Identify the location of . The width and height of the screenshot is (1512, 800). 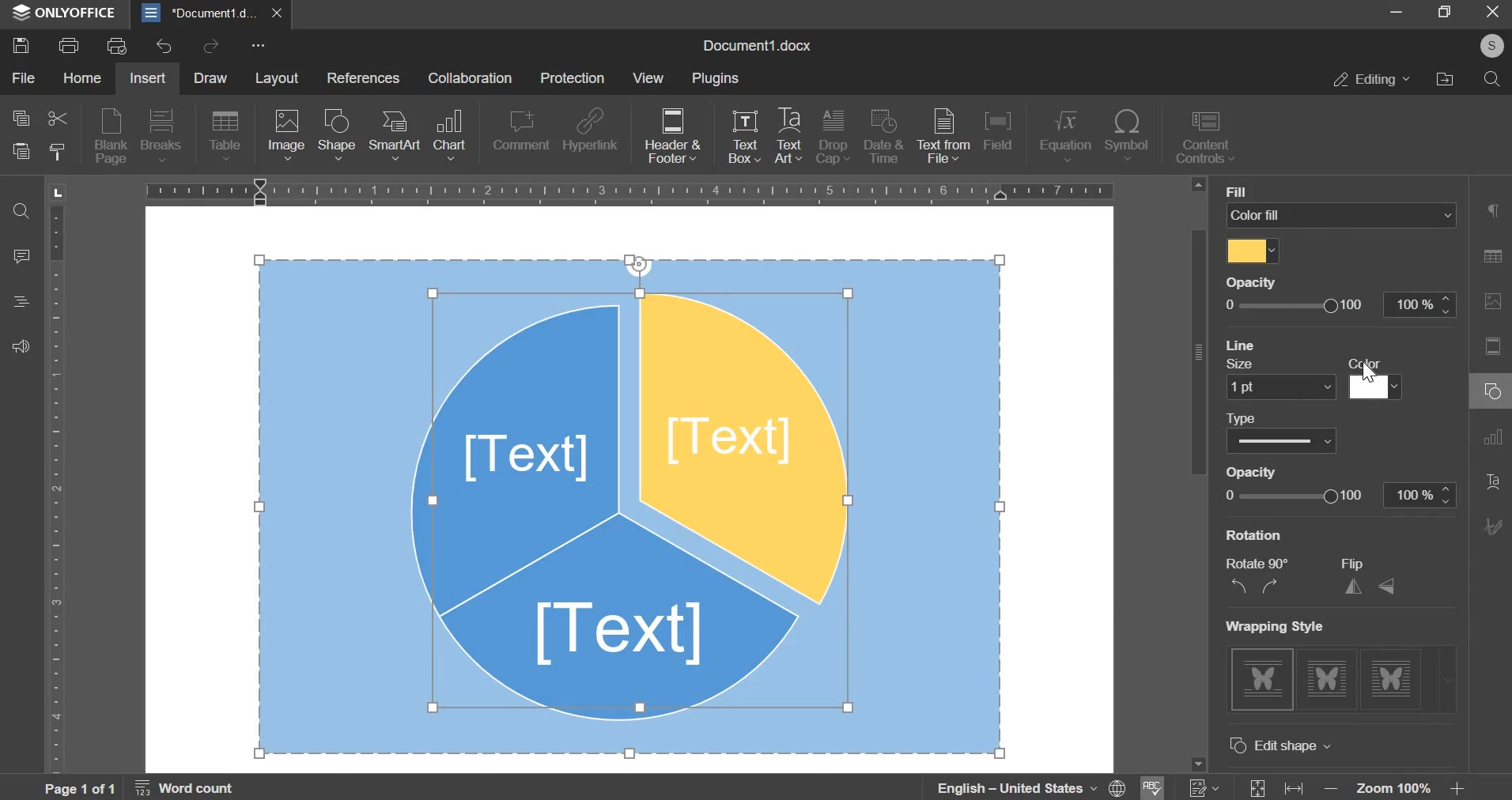
(1255, 283).